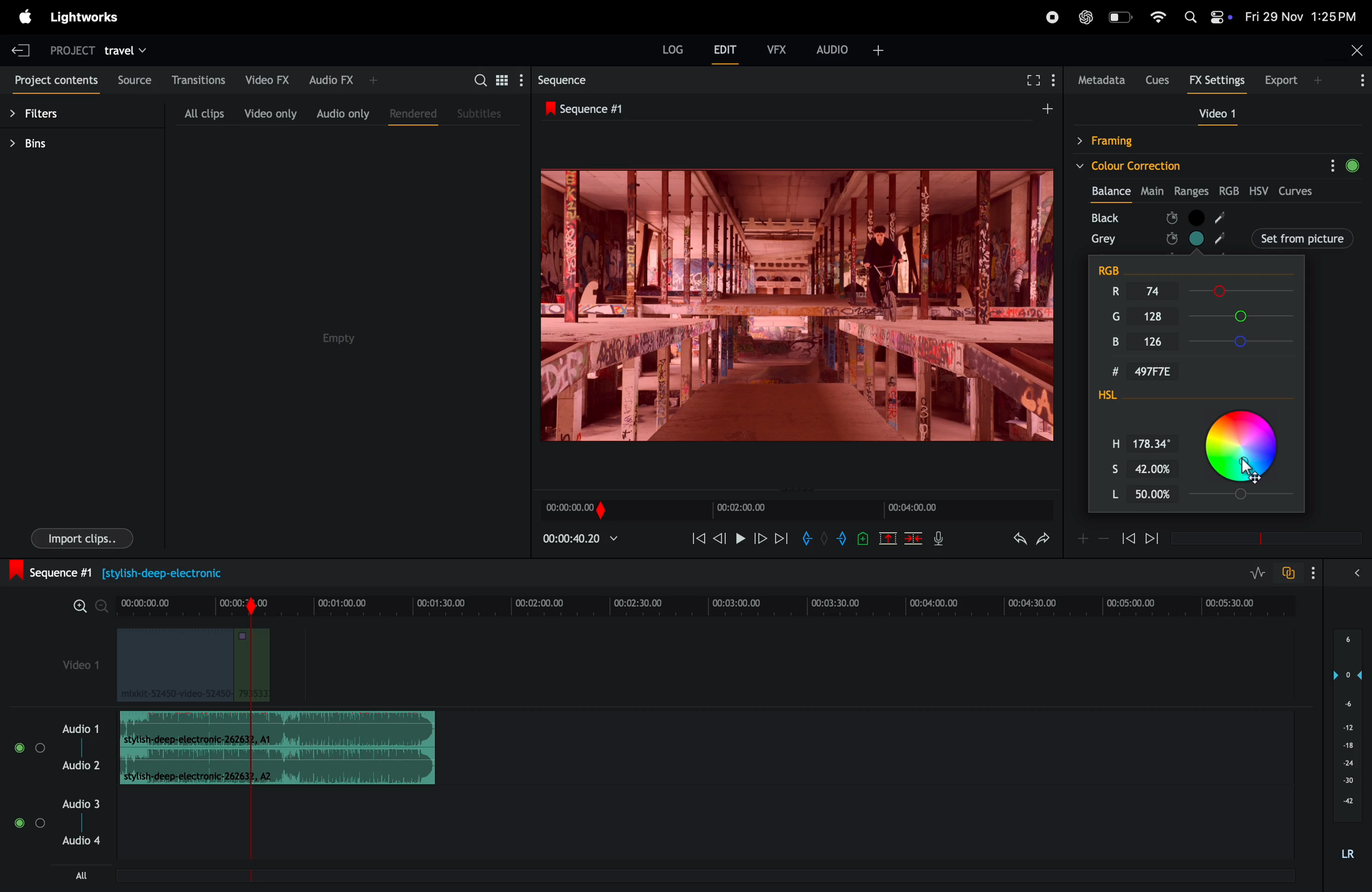 The height and width of the screenshot is (892, 1372). Describe the element at coordinates (1102, 373) in the screenshot. I see `# ` at that location.